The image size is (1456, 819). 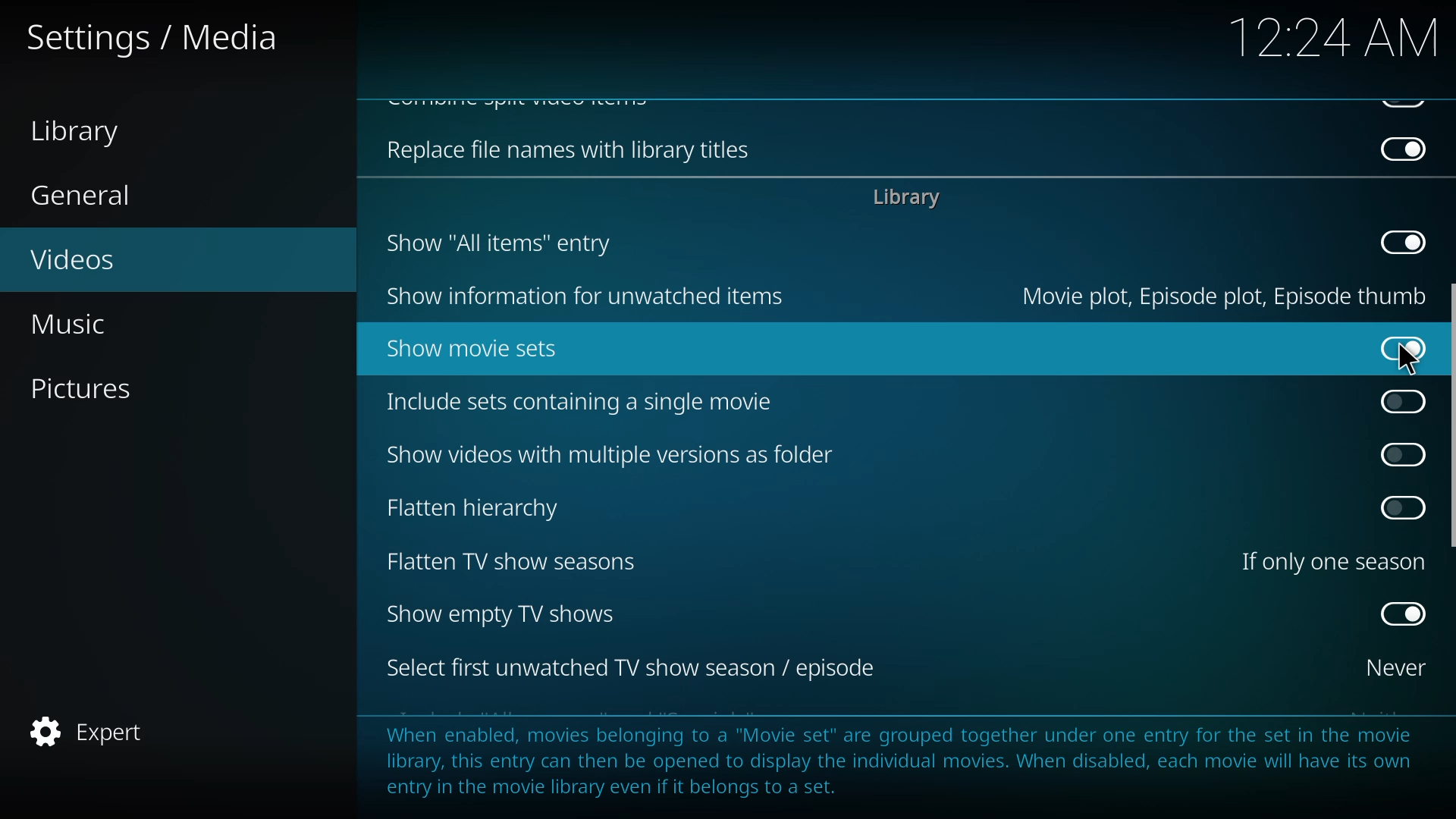 I want to click on disabled, so click(x=1402, y=147).